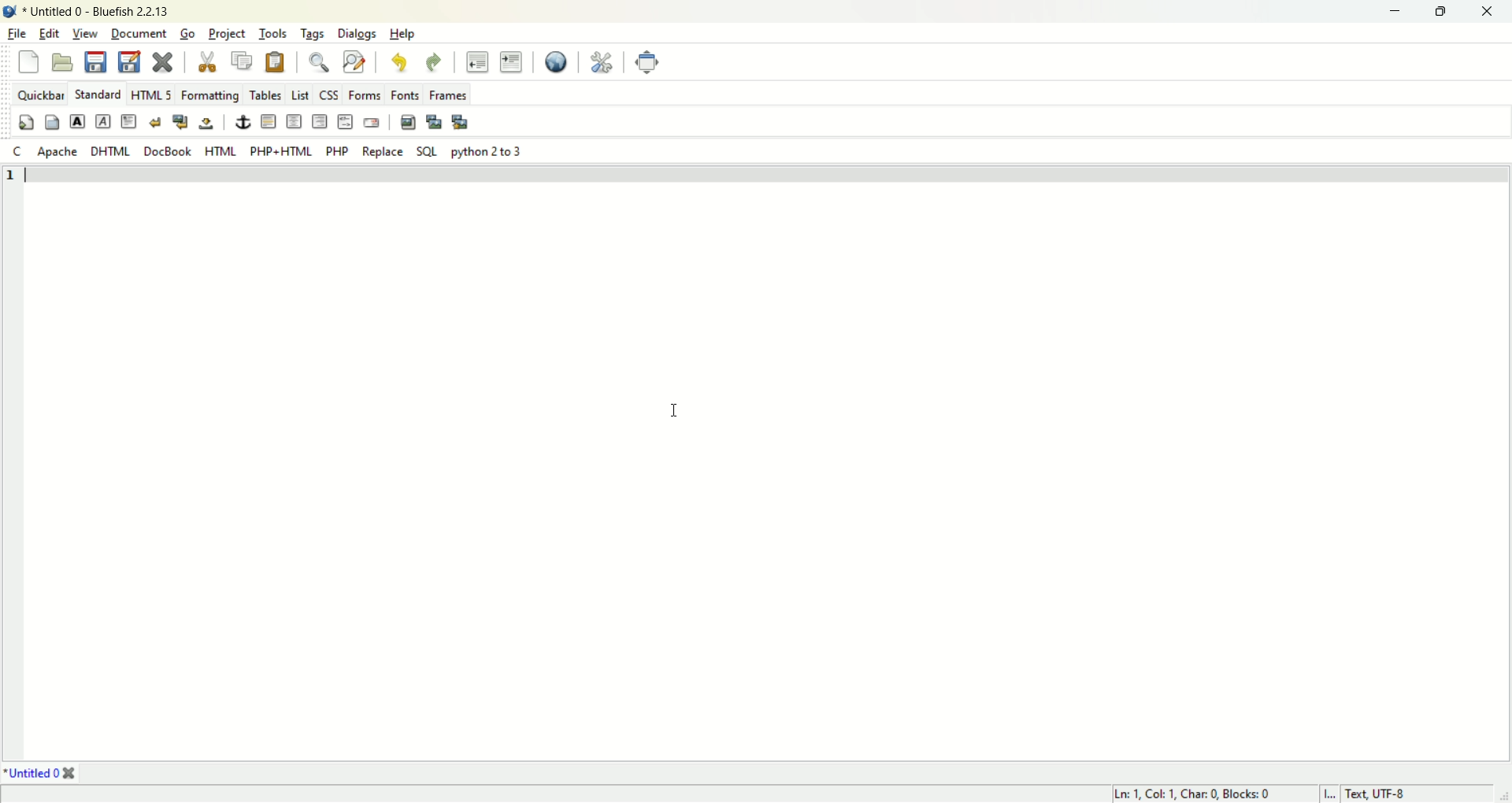 The width and height of the screenshot is (1512, 803). Describe the element at coordinates (14, 461) in the screenshot. I see `line number` at that location.